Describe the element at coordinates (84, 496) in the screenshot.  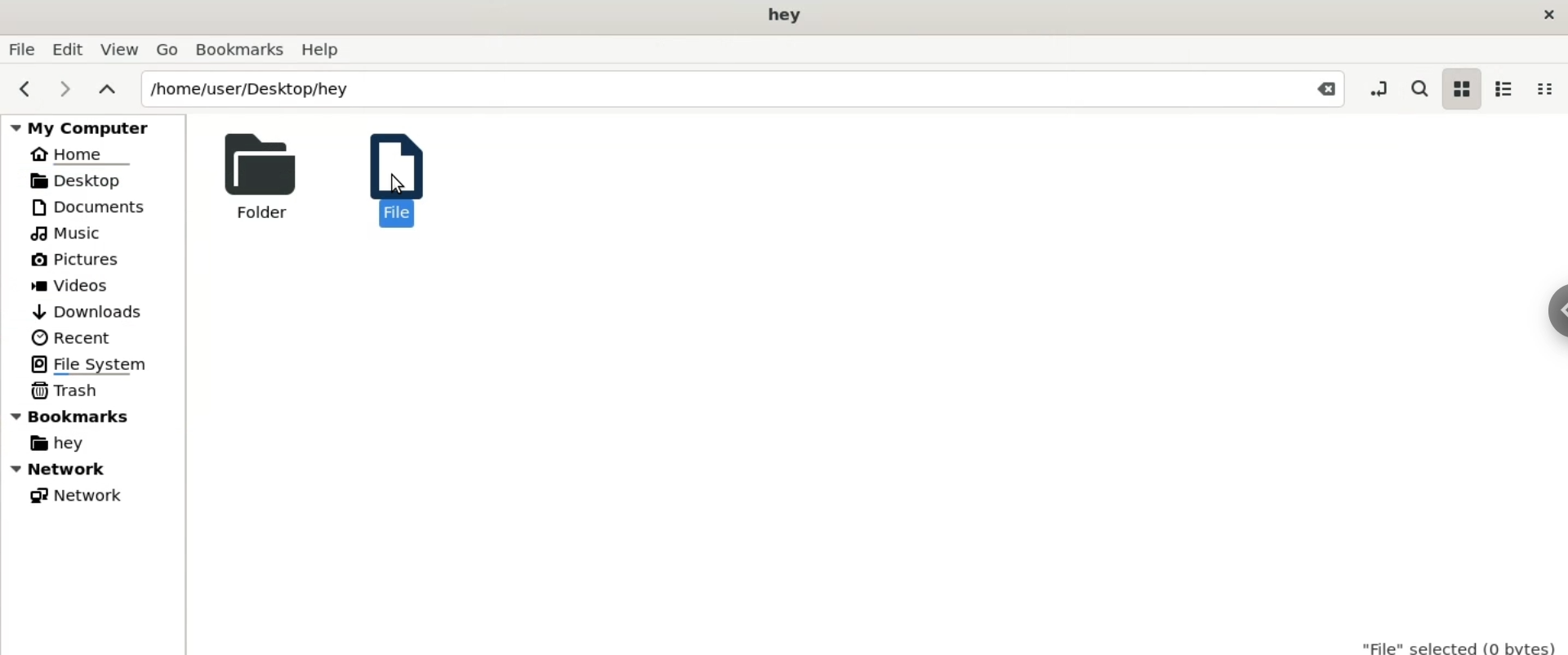
I see `network` at that location.